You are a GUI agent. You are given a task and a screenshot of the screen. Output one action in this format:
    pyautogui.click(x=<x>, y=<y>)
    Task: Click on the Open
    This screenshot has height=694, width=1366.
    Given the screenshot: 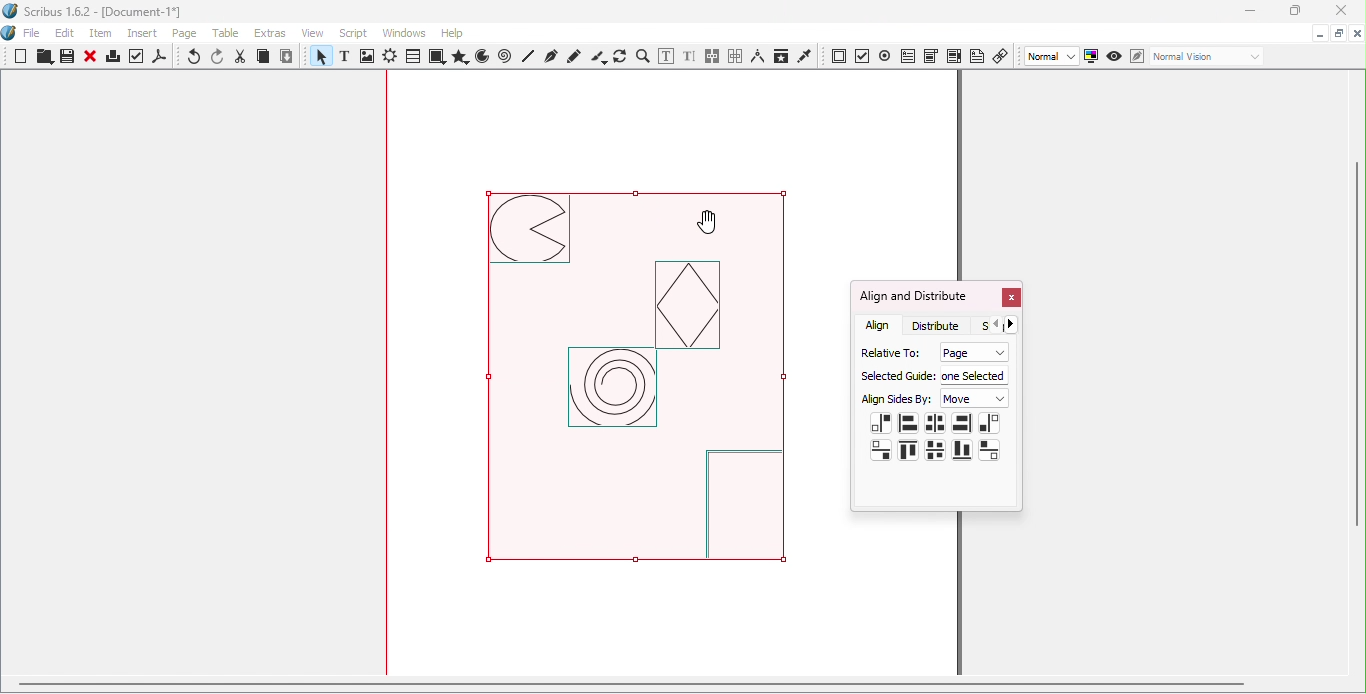 What is the action you would take?
    pyautogui.click(x=42, y=58)
    